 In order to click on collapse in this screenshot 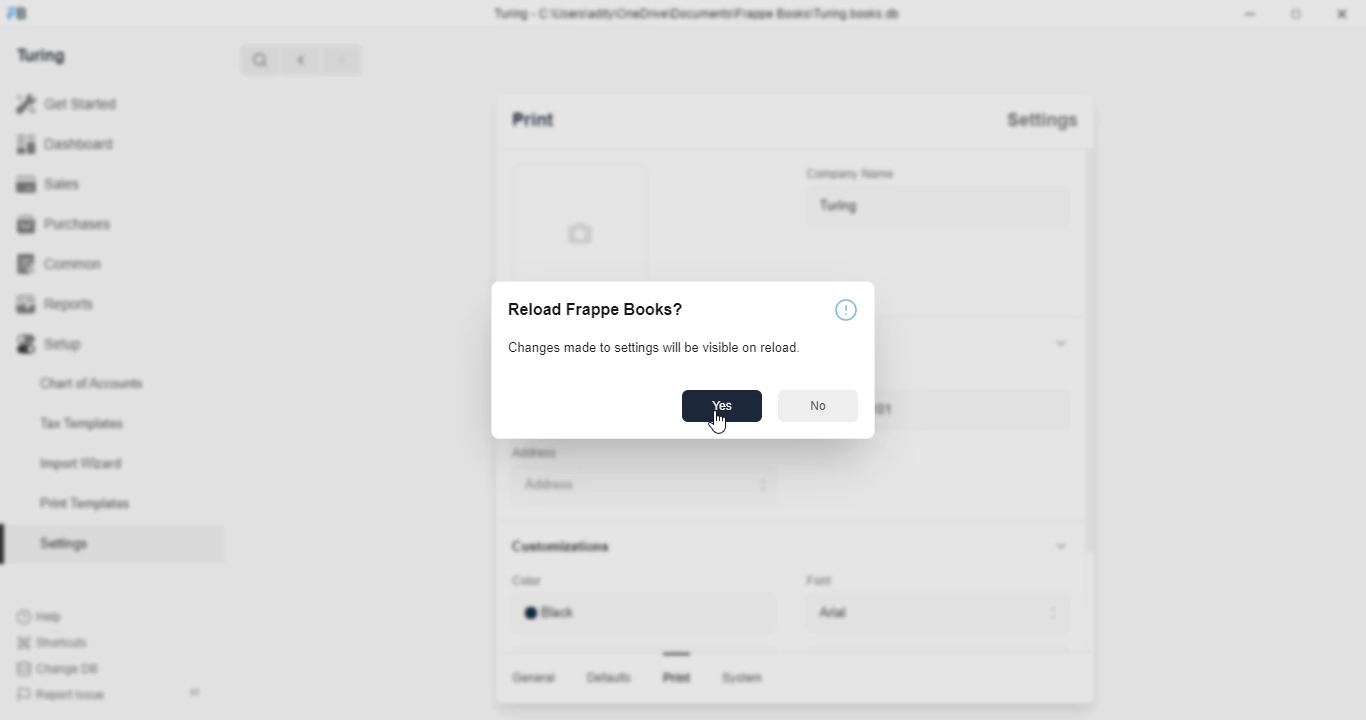, I will do `click(197, 692)`.